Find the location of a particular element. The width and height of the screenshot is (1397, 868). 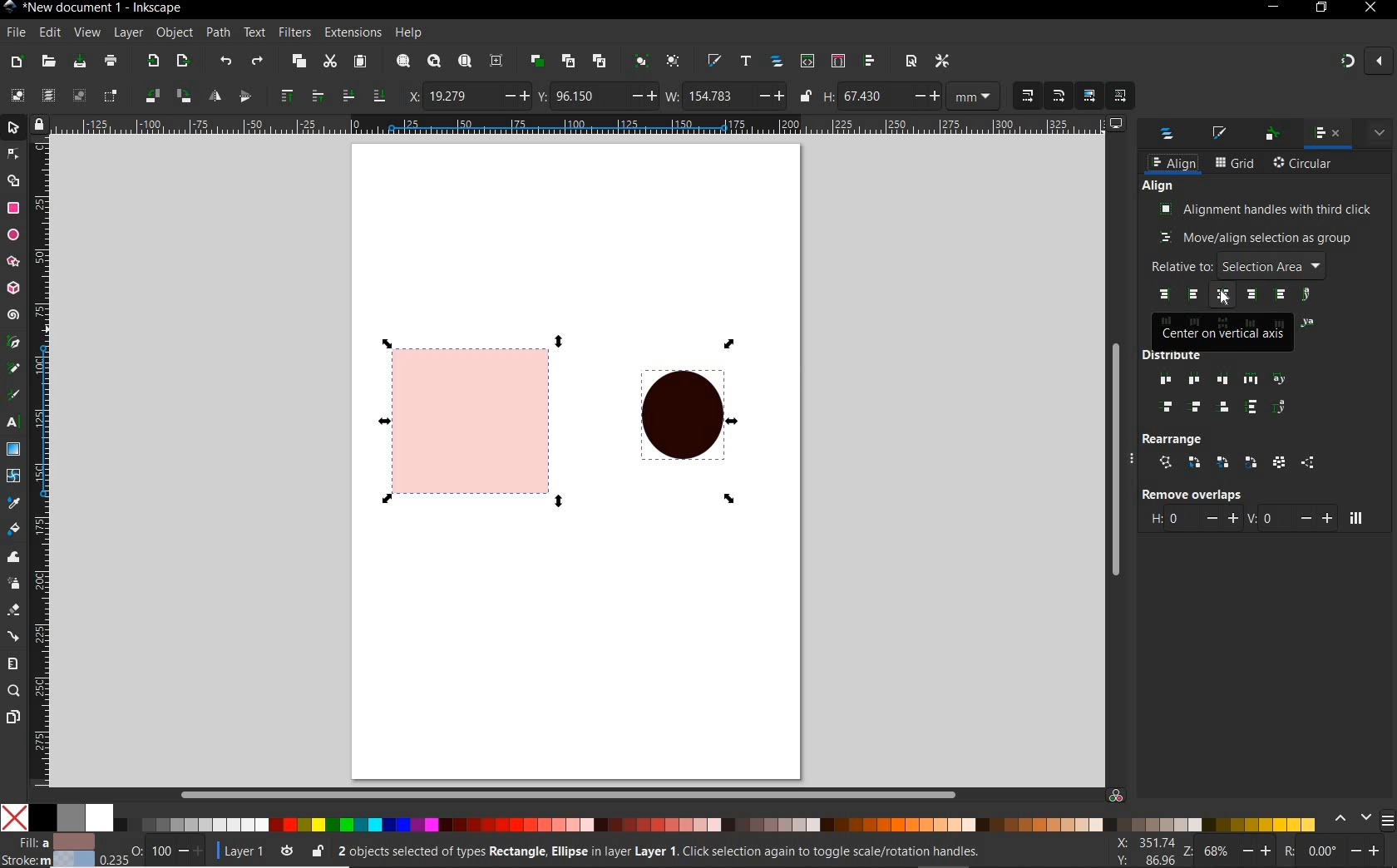

lower is located at coordinates (348, 96).